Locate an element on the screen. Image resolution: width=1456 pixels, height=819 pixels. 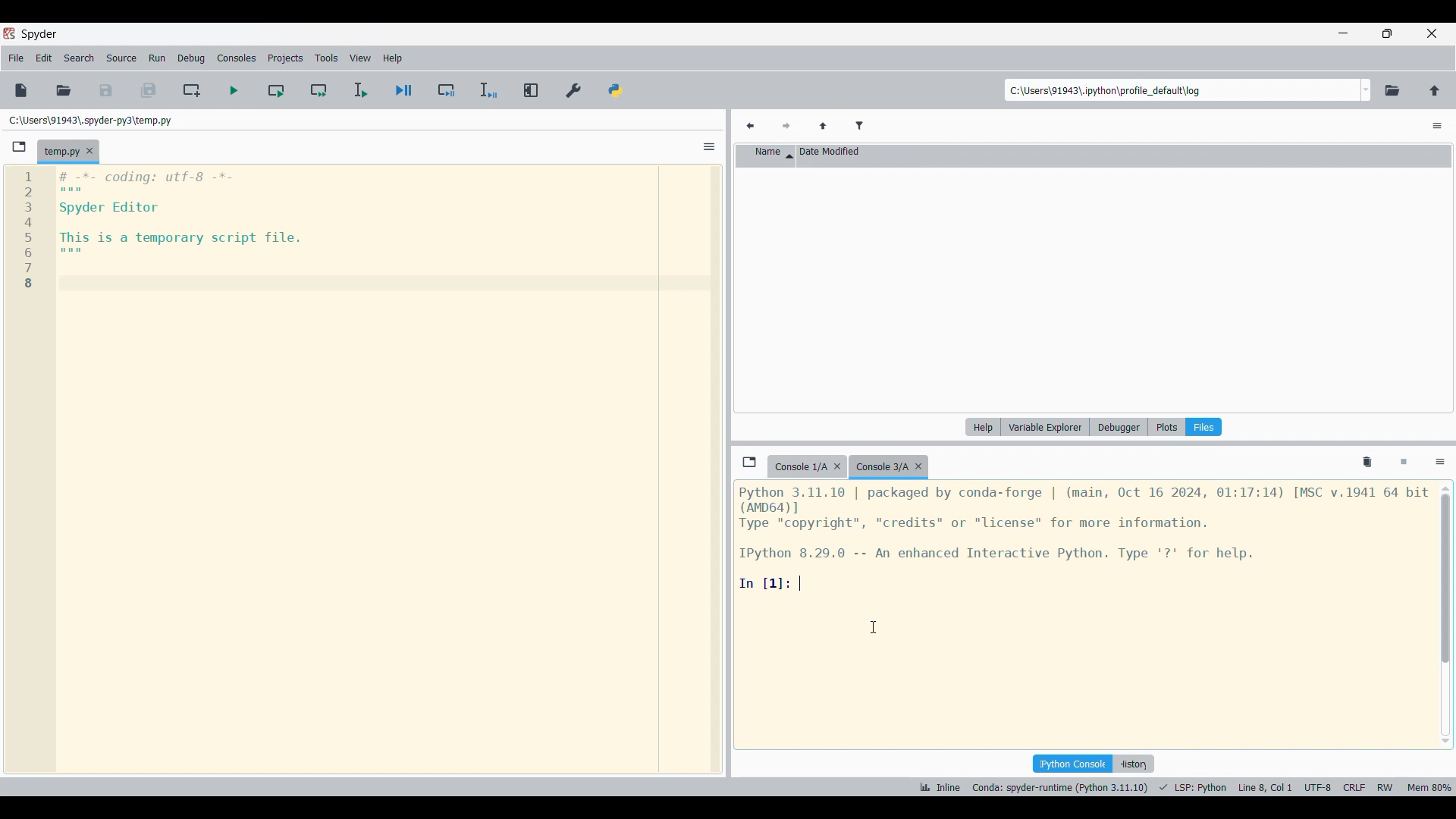
View menu is located at coordinates (360, 58).